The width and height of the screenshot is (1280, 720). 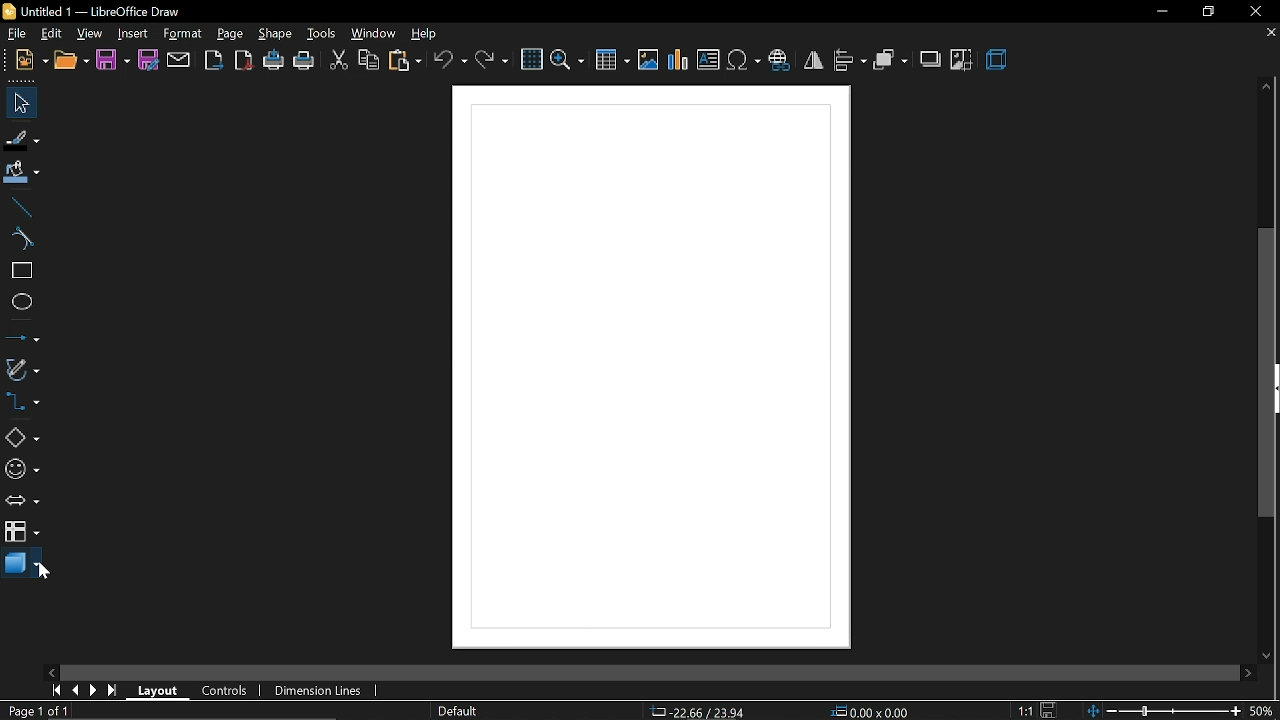 What do you see at coordinates (325, 692) in the screenshot?
I see `dimension lines` at bounding box center [325, 692].